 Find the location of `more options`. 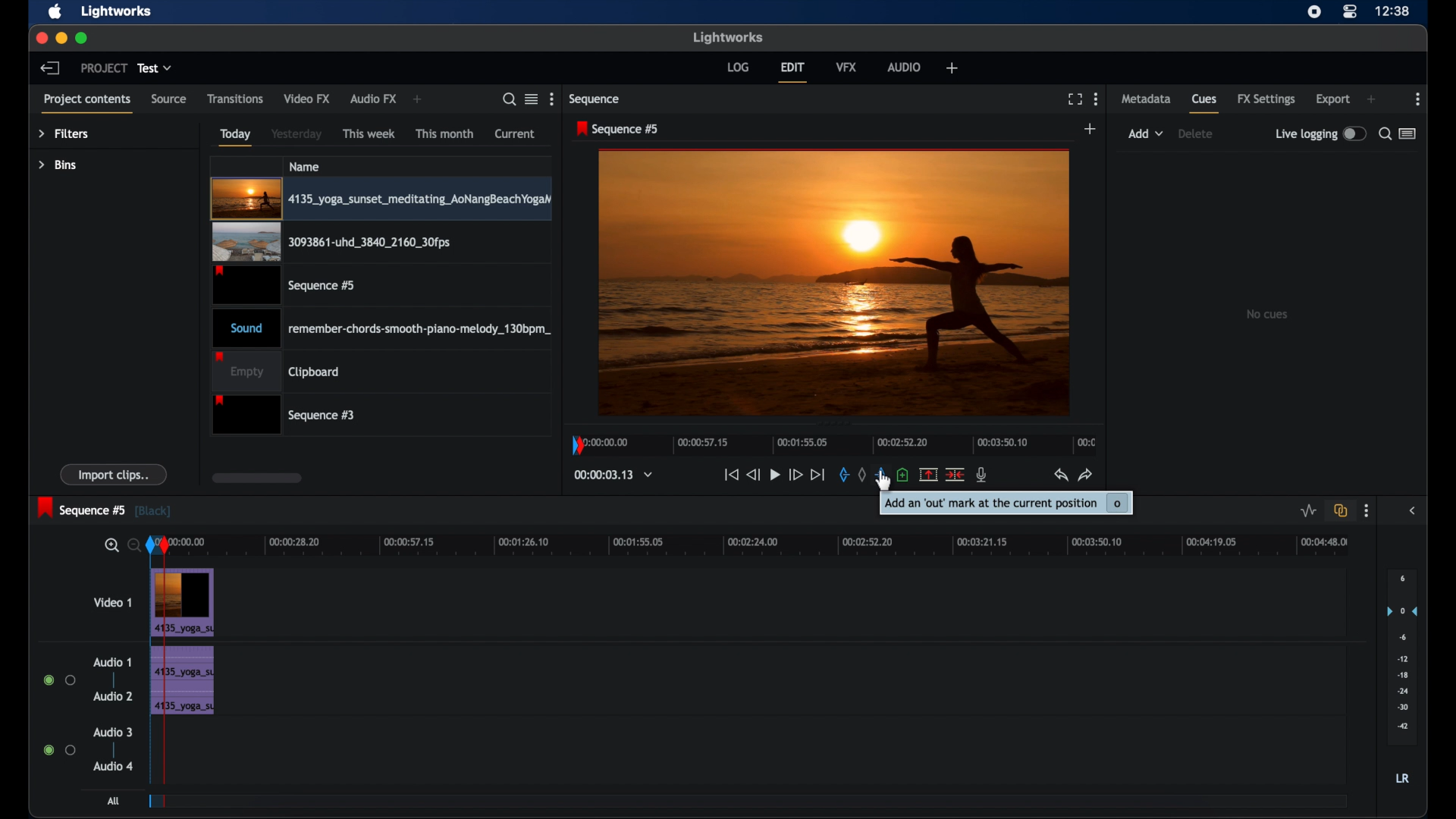

more options is located at coordinates (1097, 99).